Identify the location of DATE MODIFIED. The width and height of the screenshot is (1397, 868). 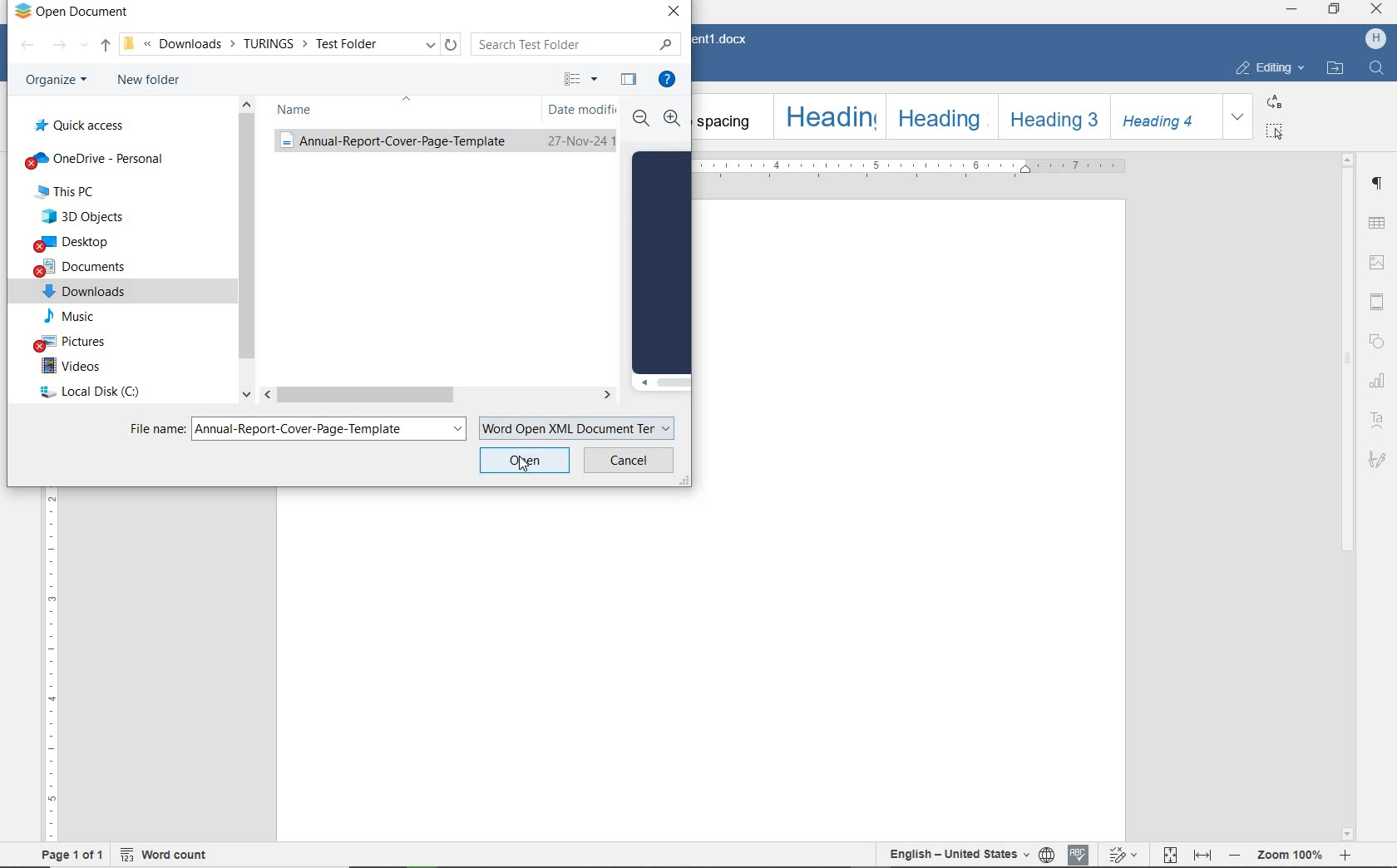
(582, 110).